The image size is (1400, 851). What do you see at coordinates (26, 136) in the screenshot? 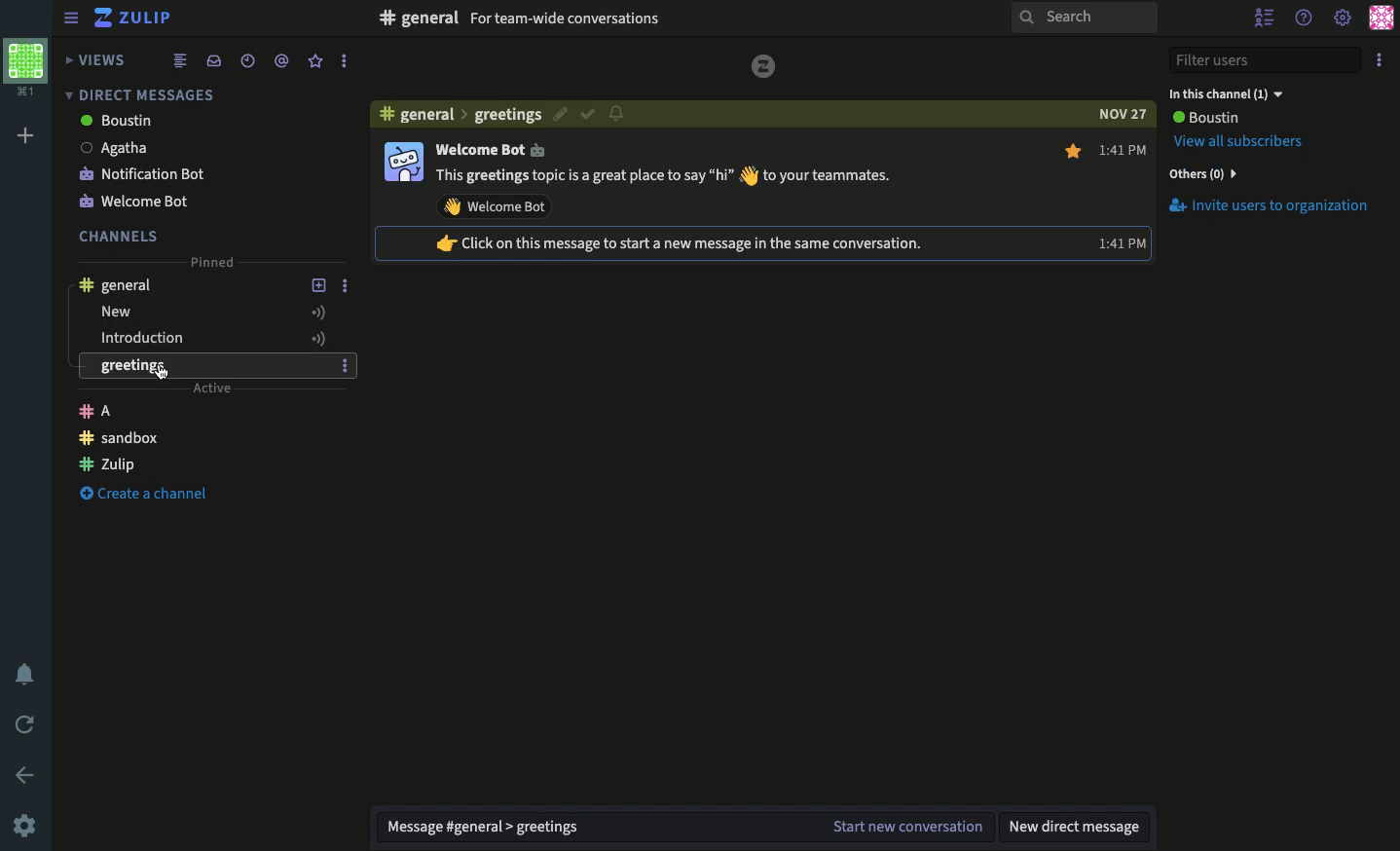
I see `Add` at bounding box center [26, 136].